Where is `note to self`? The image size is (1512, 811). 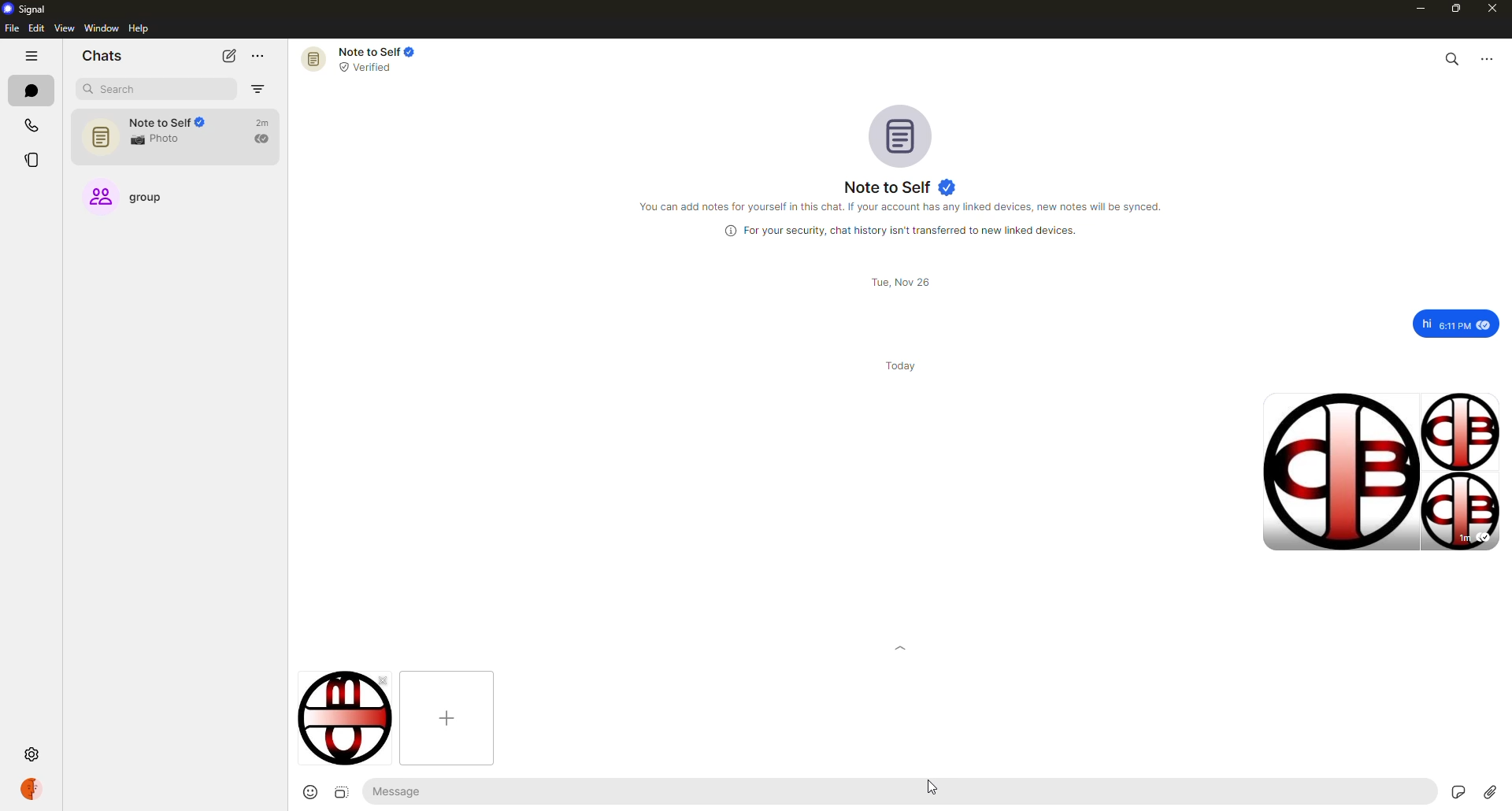 note to self is located at coordinates (371, 58).